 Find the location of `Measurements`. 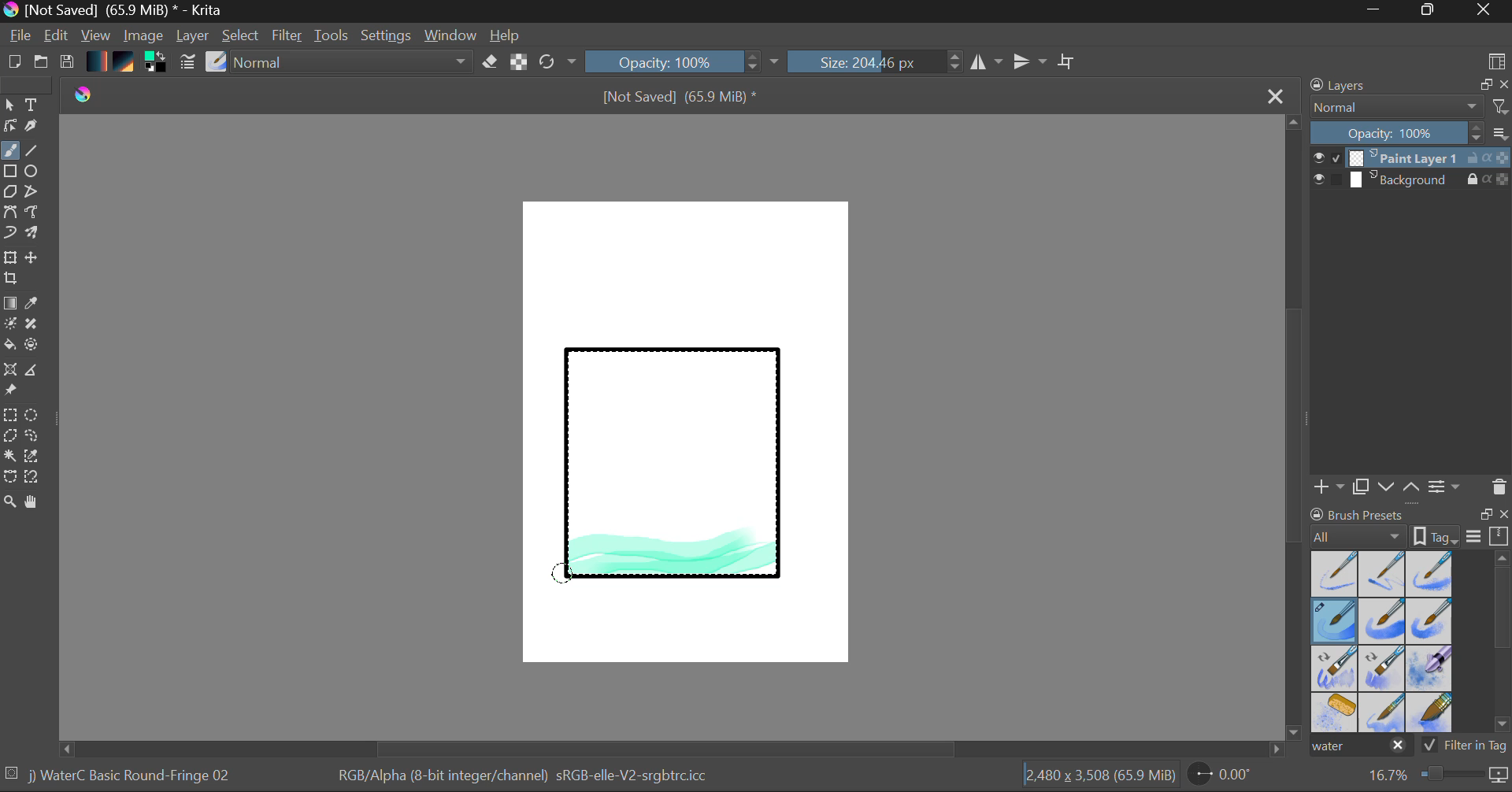

Measurements is located at coordinates (34, 372).